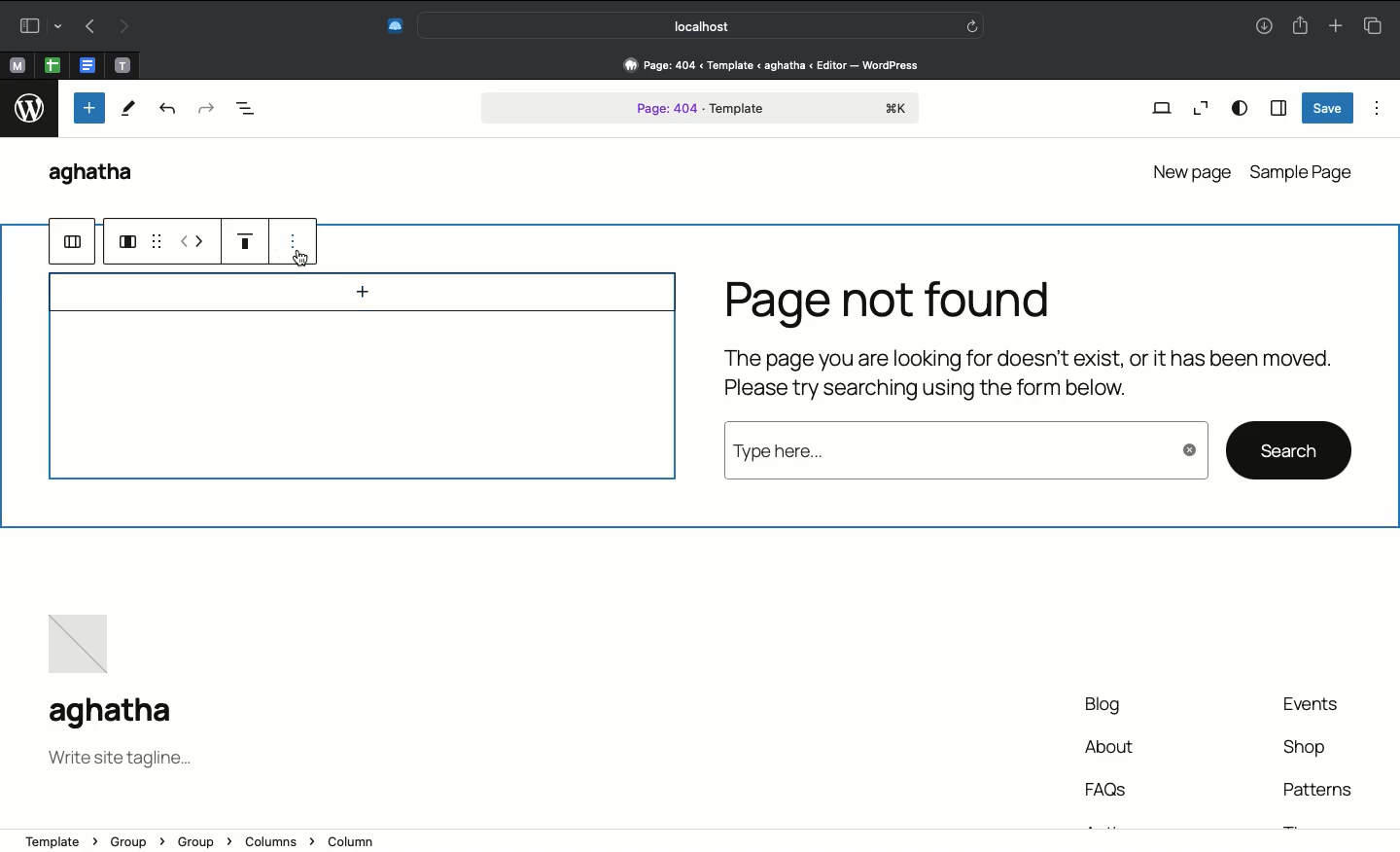 The image size is (1400, 852). I want to click on Undo, so click(169, 112).